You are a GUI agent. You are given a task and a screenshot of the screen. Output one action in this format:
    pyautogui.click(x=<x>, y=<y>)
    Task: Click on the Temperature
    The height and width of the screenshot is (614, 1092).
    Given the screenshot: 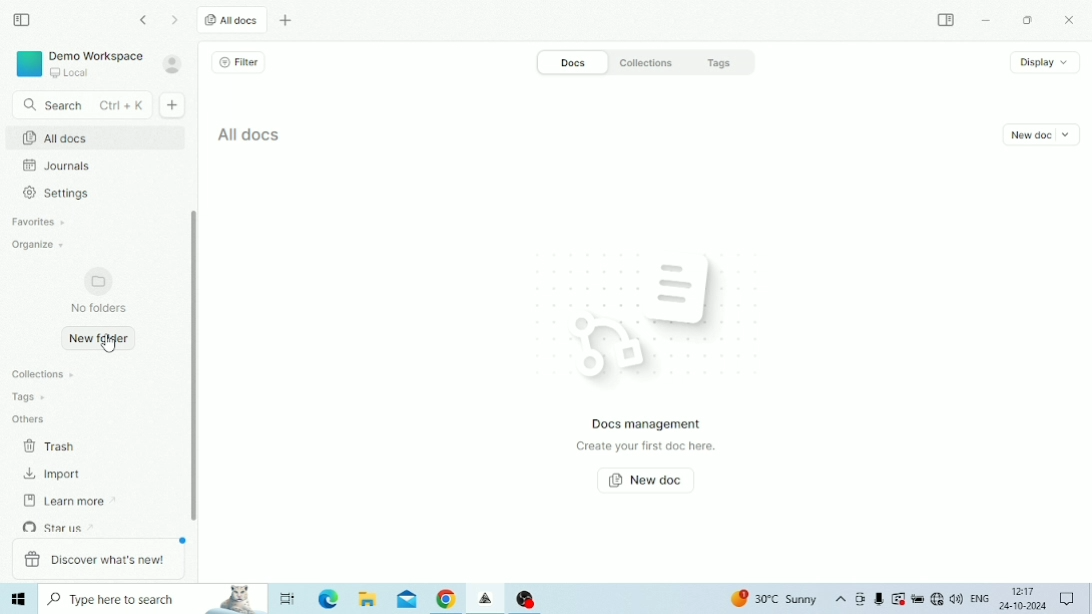 What is the action you would take?
    pyautogui.click(x=776, y=599)
    